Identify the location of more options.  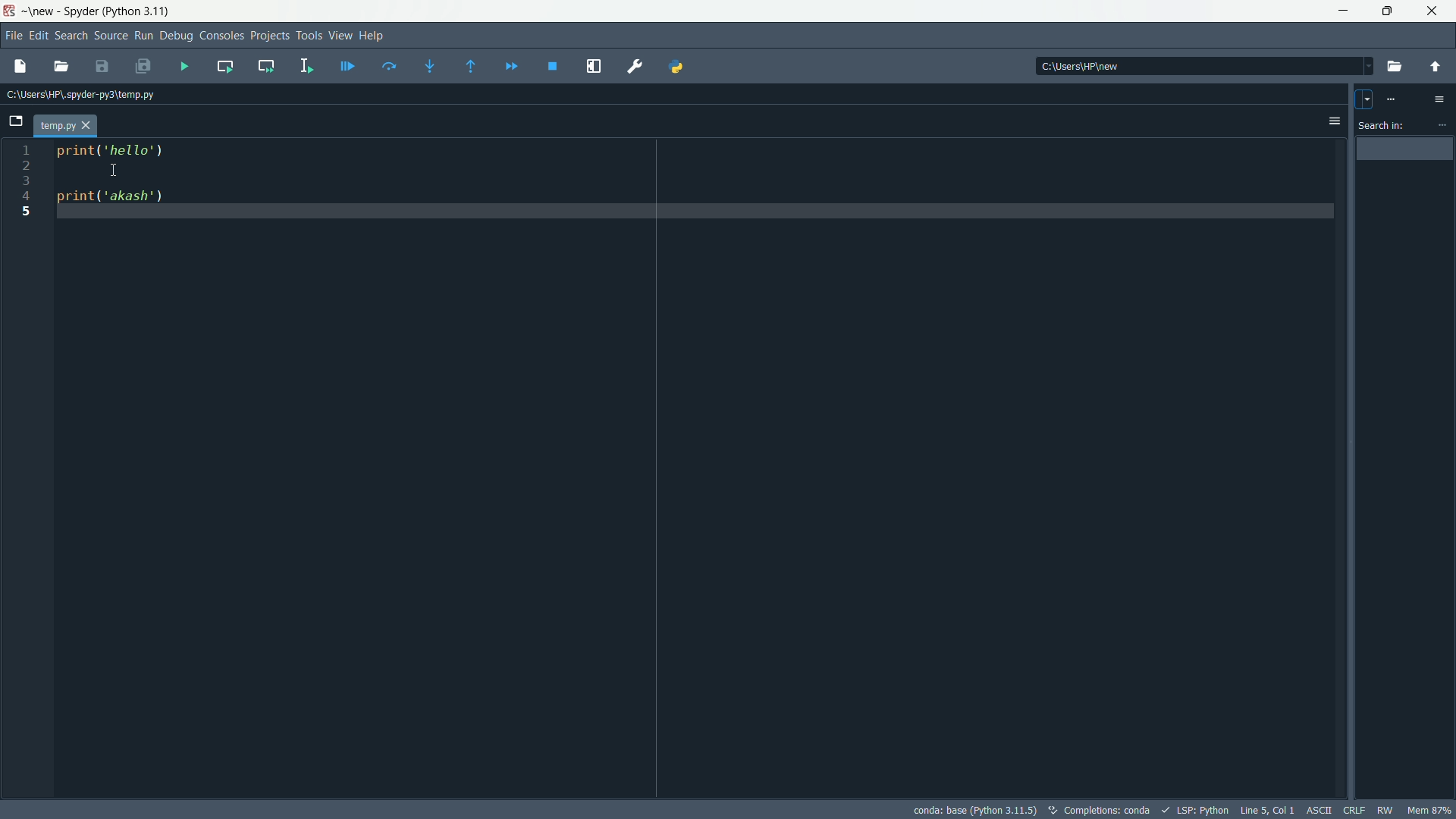
(1395, 101).